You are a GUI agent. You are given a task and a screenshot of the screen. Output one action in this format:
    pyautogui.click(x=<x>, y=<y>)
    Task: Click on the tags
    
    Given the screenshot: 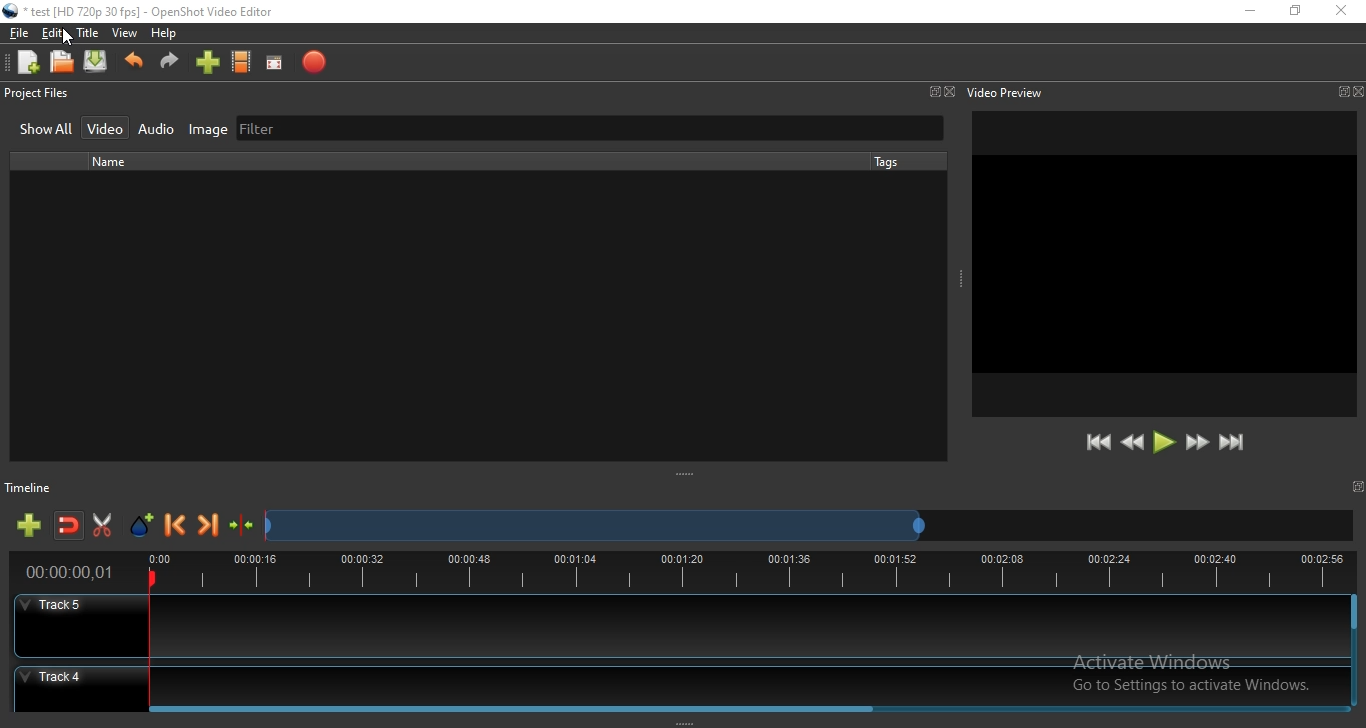 What is the action you would take?
    pyautogui.click(x=886, y=161)
    